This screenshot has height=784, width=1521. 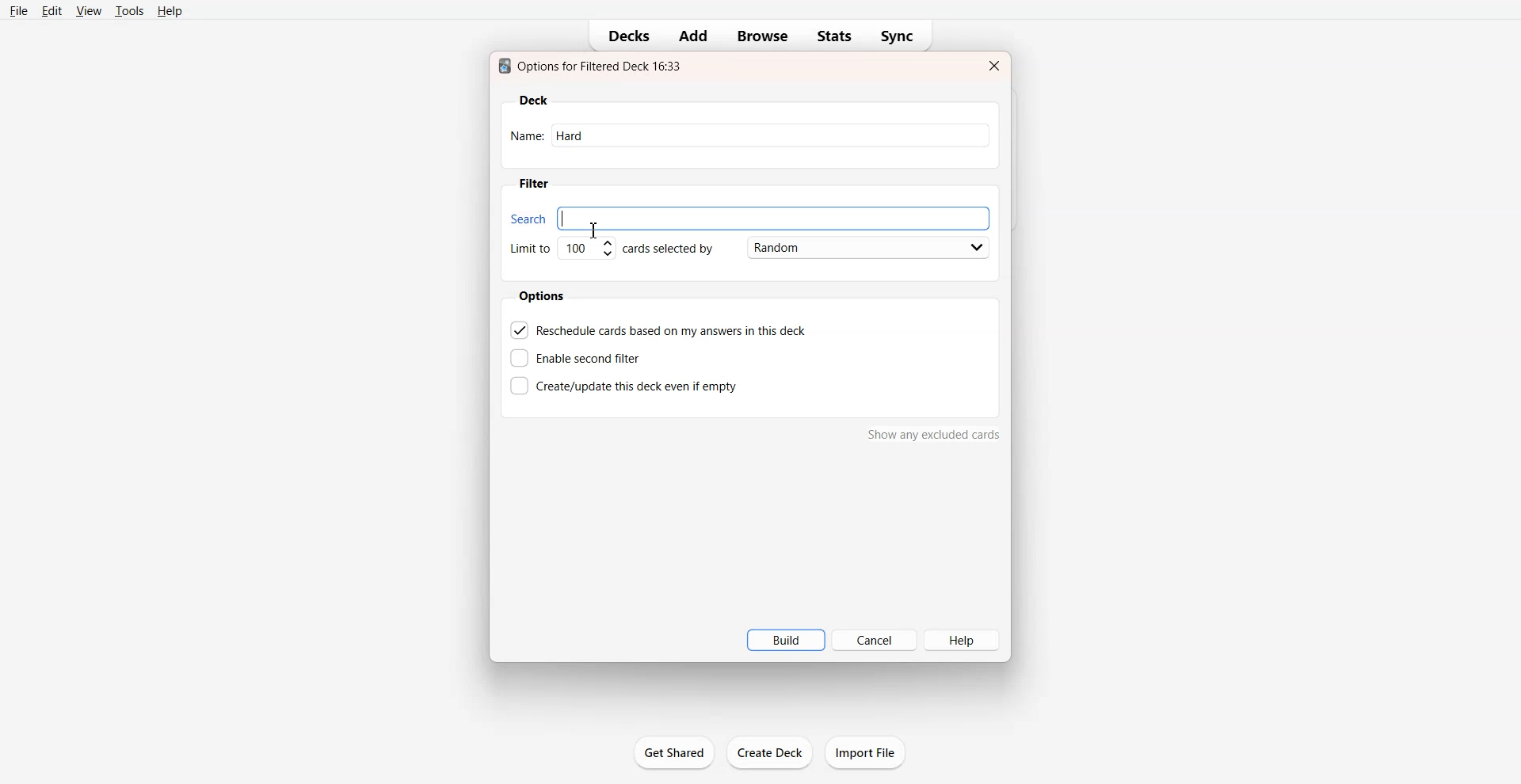 What do you see at coordinates (834, 36) in the screenshot?
I see `Stats` at bounding box center [834, 36].